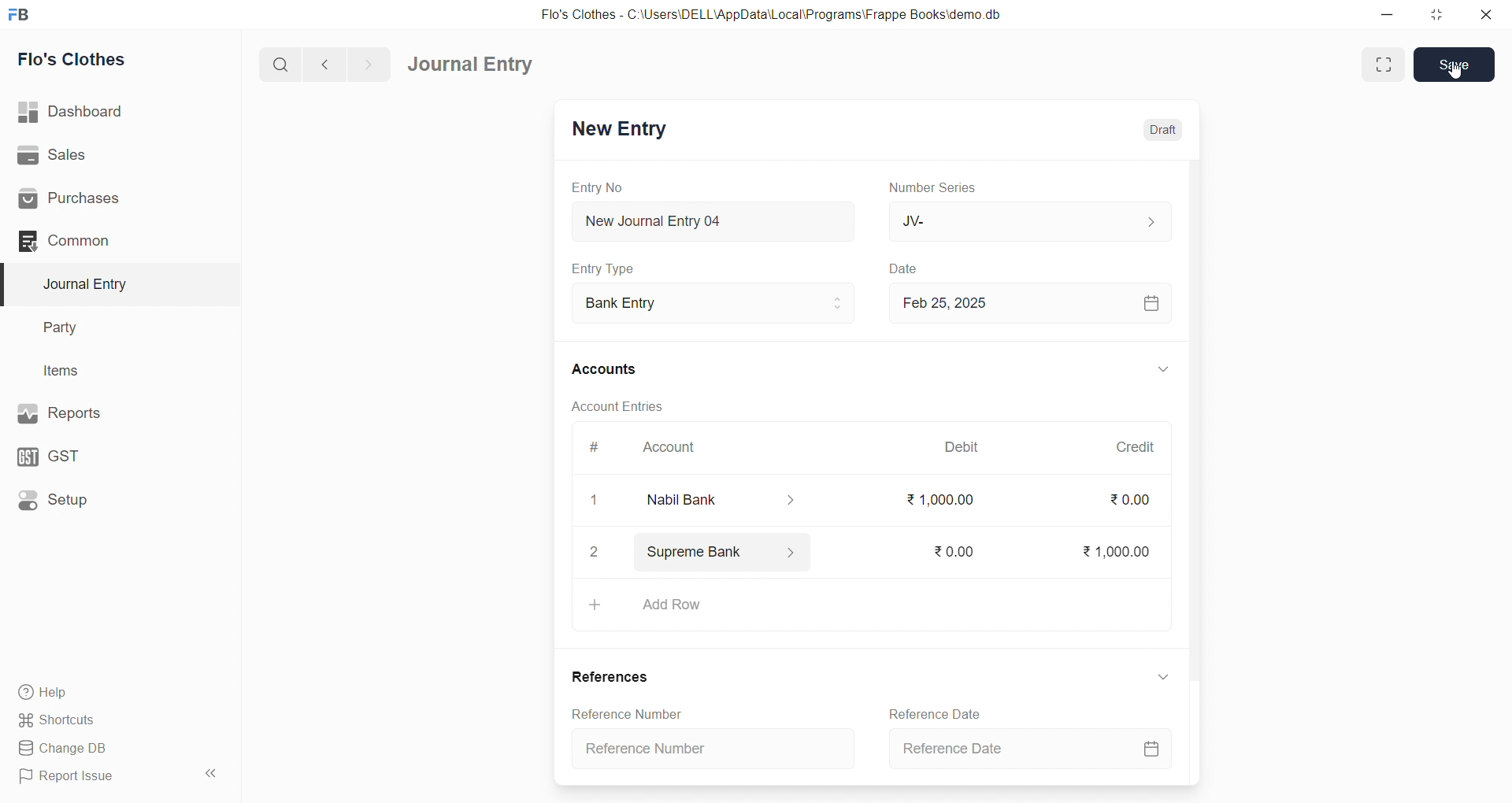 This screenshot has width=1512, height=803. Describe the element at coordinates (936, 187) in the screenshot. I see `Number Series` at that location.